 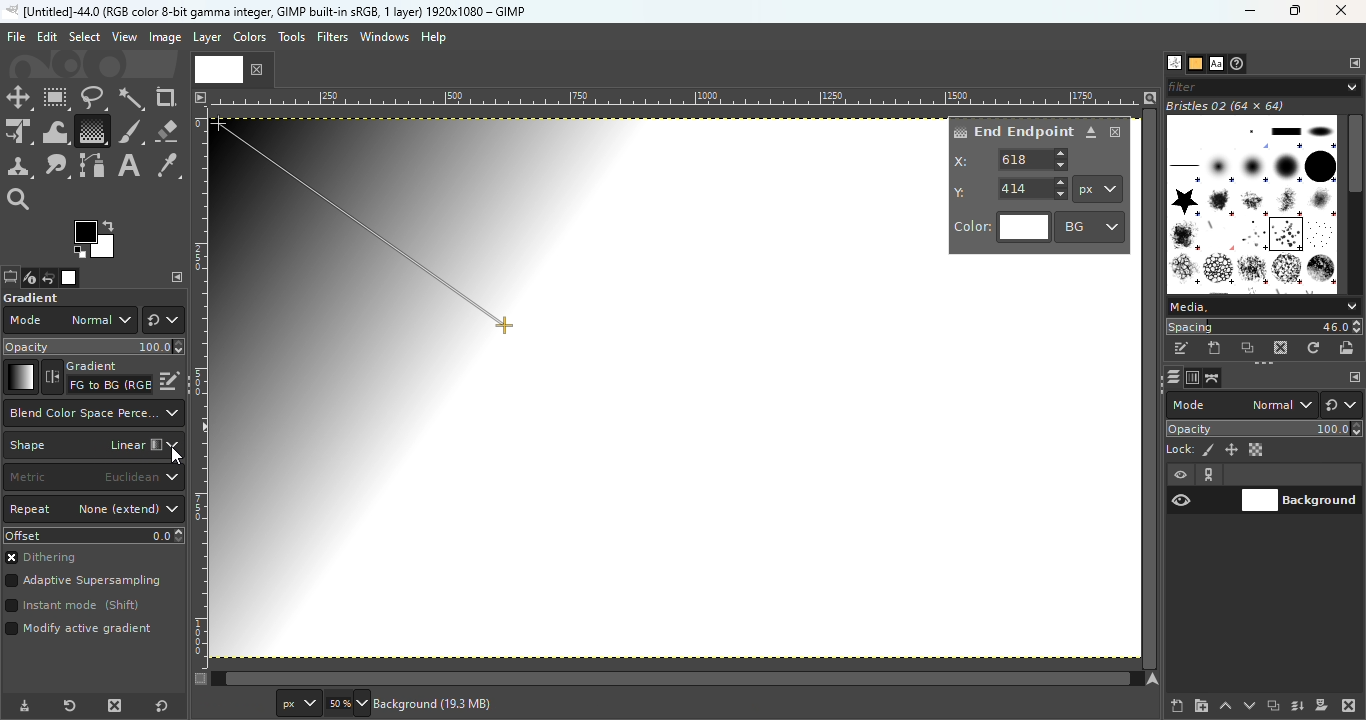 What do you see at coordinates (1242, 405) in the screenshot?
I see `Mode` at bounding box center [1242, 405].